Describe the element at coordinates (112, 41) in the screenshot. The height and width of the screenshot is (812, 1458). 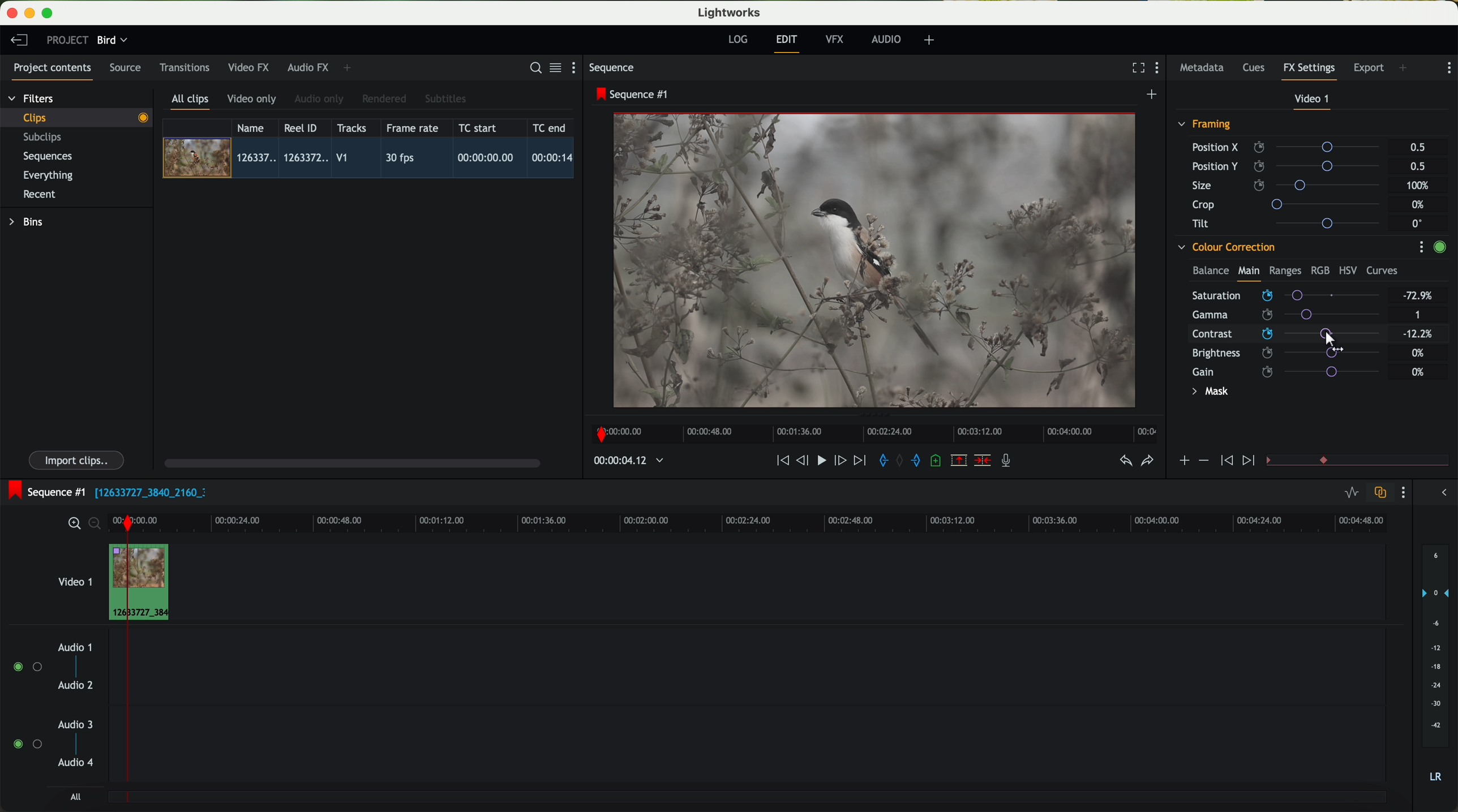
I see `bird` at that location.